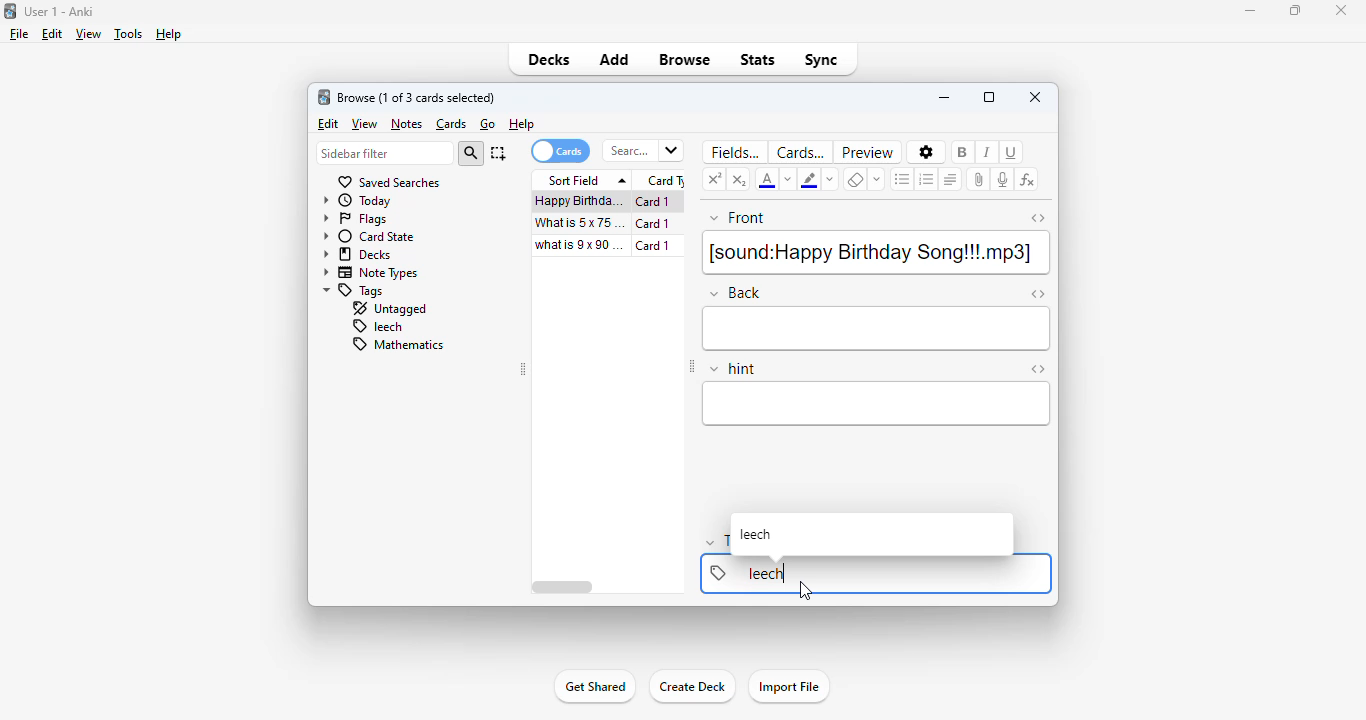  What do you see at coordinates (89, 34) in the screenshot?
I see `view` at bounding box center [89, 34].